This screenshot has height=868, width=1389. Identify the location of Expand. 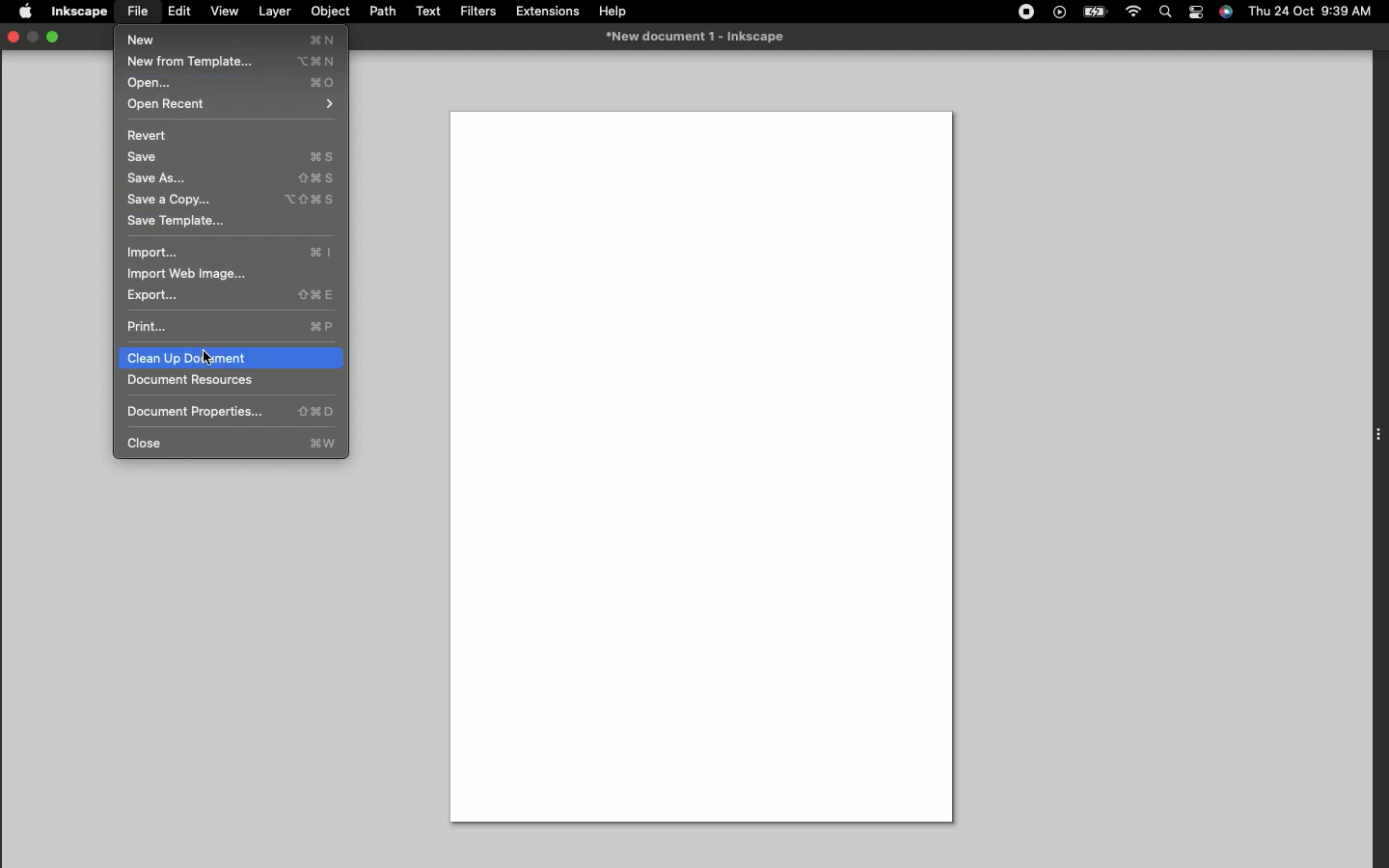
(55, 36).